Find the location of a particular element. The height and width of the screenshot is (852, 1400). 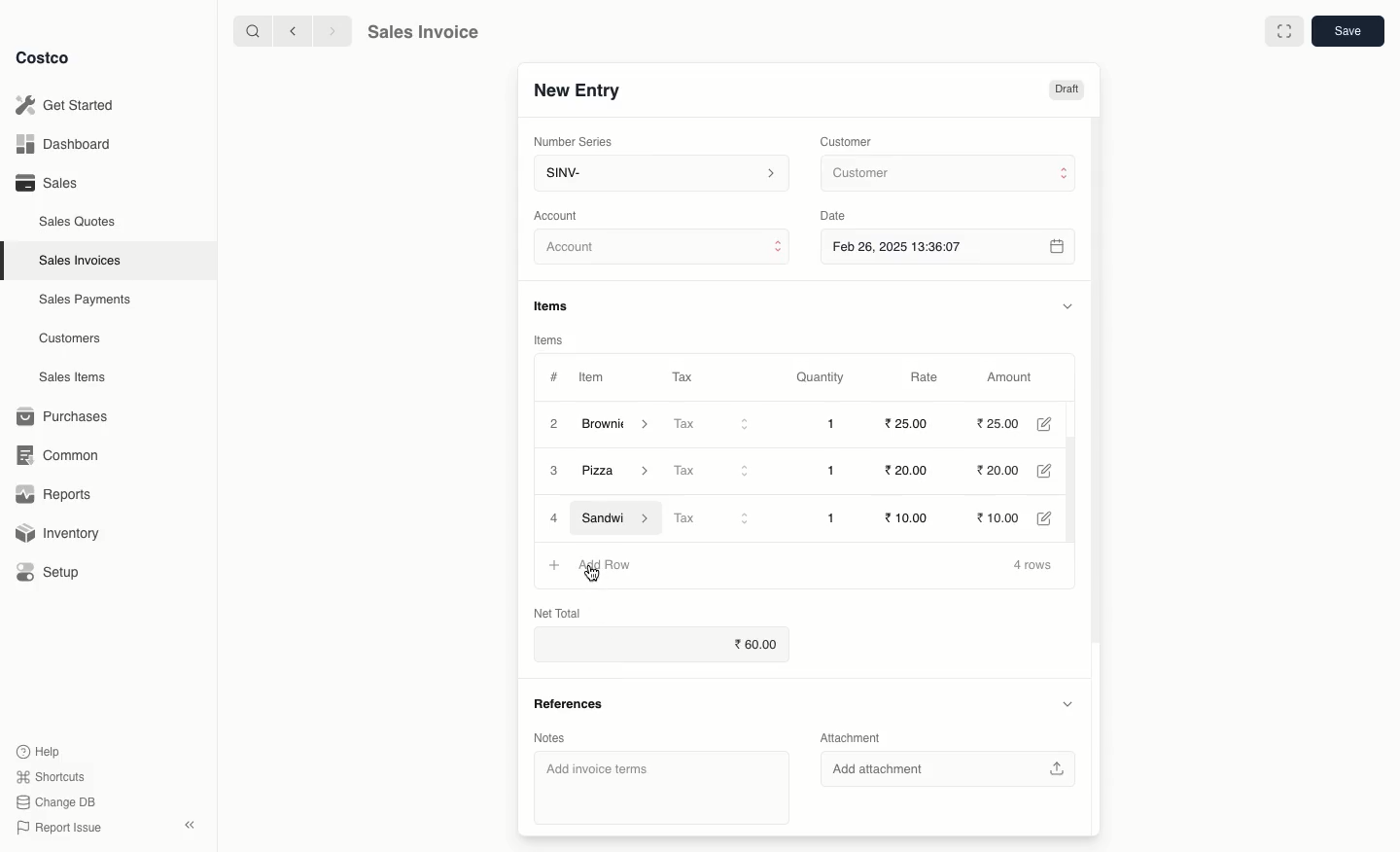

Draft is located at coordinates (1067, 90).